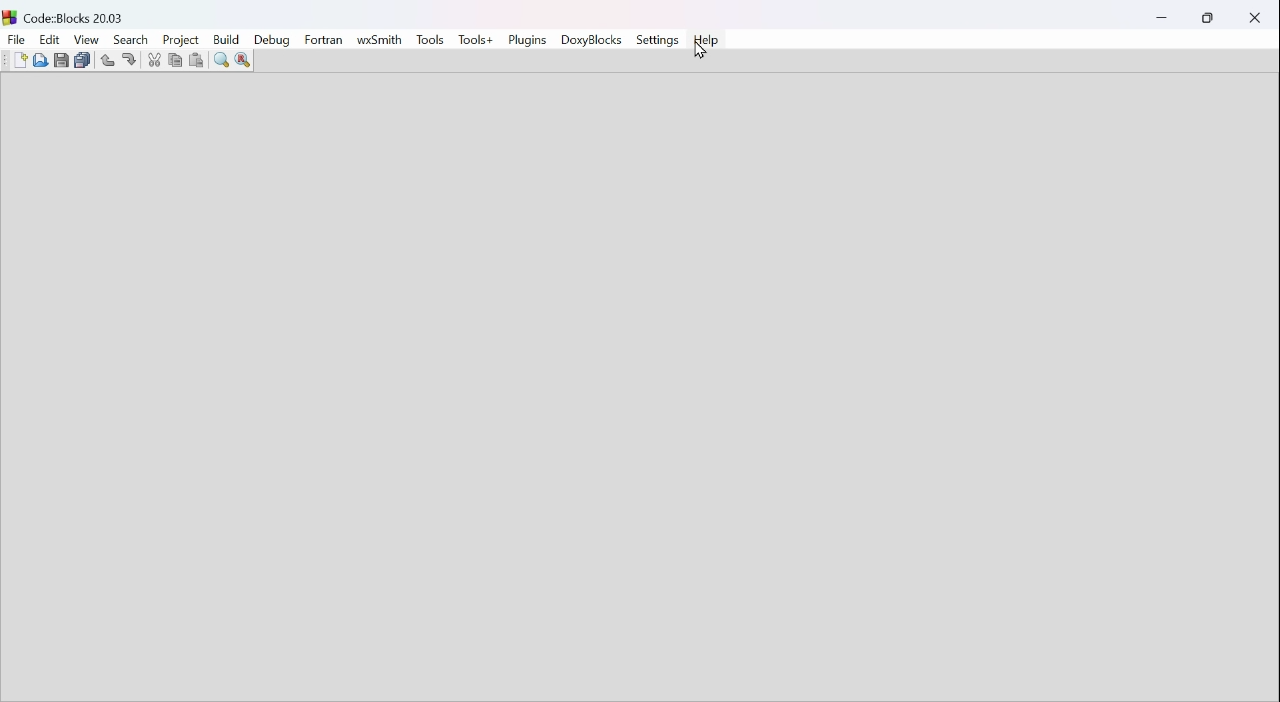 The image size is (1280, 702). I want to click on Redo, so click(126, 57).